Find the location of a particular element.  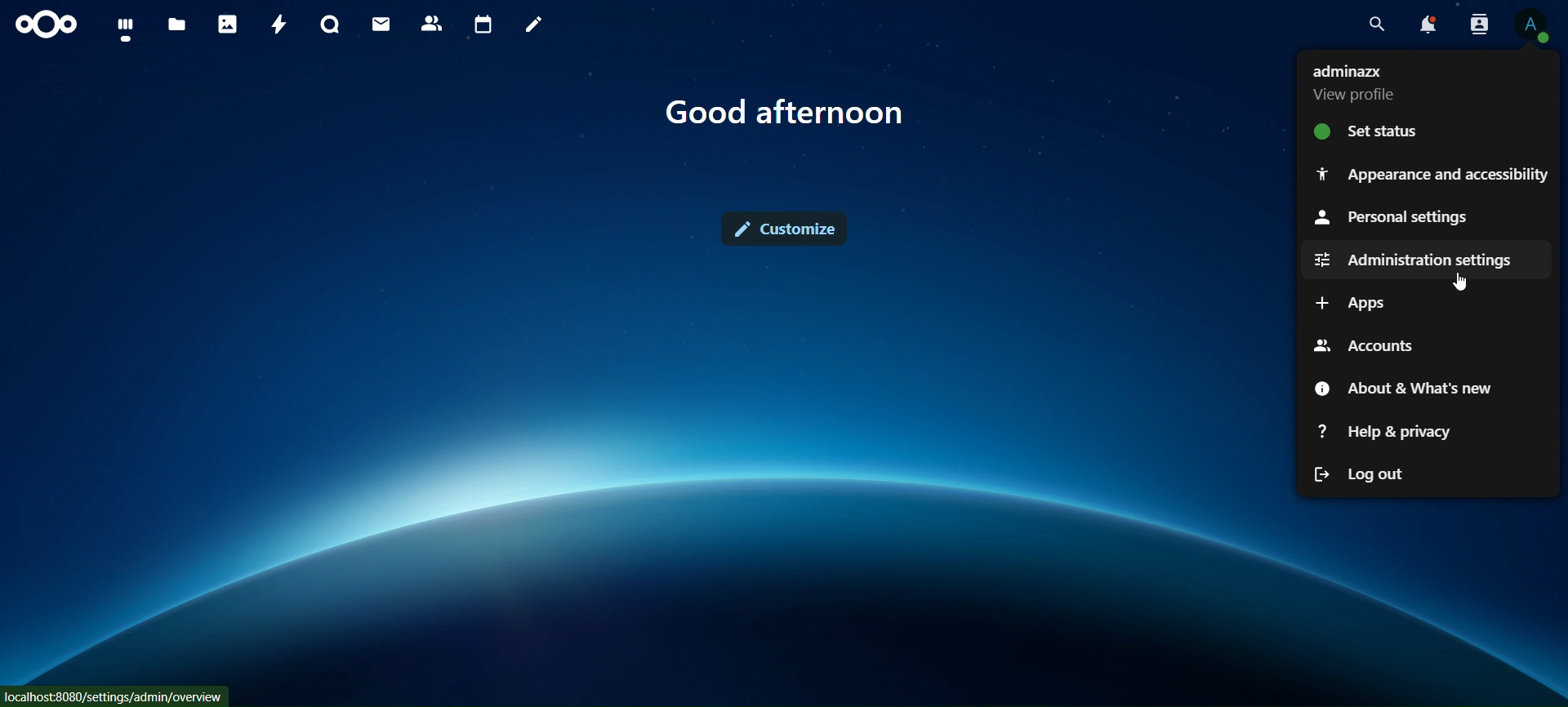

administration settings is located at coordinates (1422, 259).